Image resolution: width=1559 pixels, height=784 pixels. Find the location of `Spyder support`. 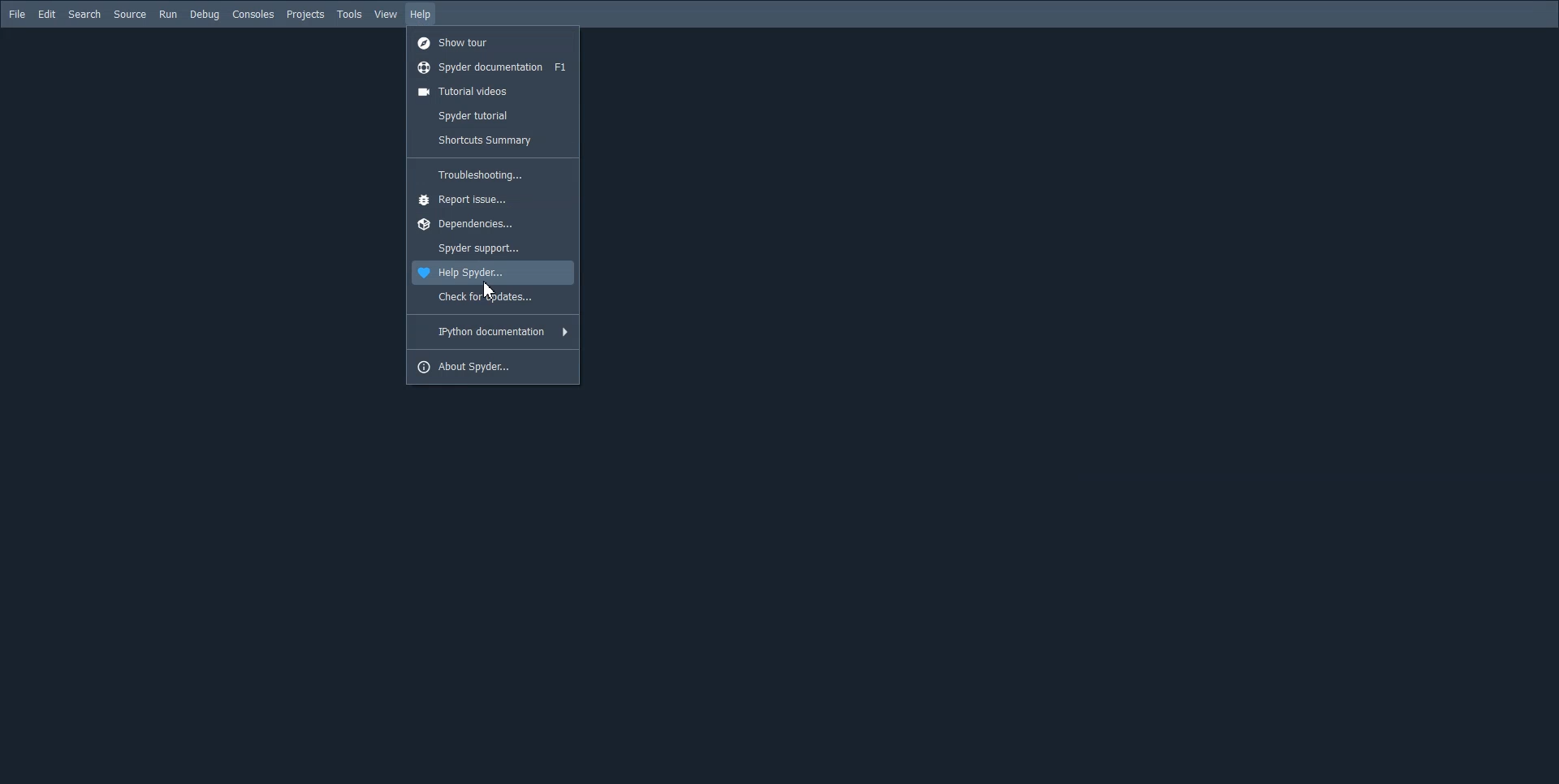

Spyder support is located at coordinates (491, 248).